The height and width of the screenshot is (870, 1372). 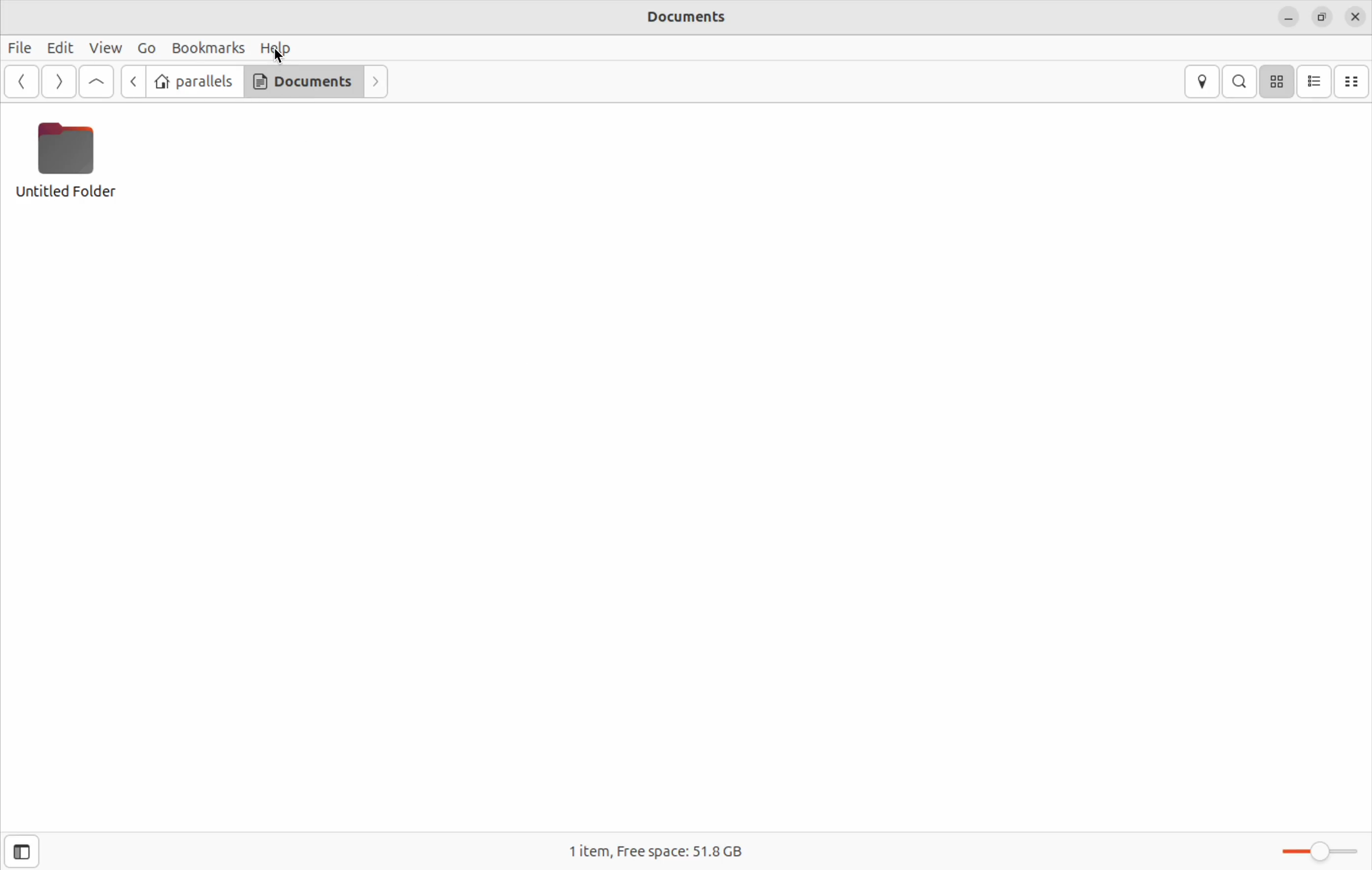 What do you see at coordinates (1288, 15) in the screenshot?
I see `minimize` at bounding box center [1288, 15].